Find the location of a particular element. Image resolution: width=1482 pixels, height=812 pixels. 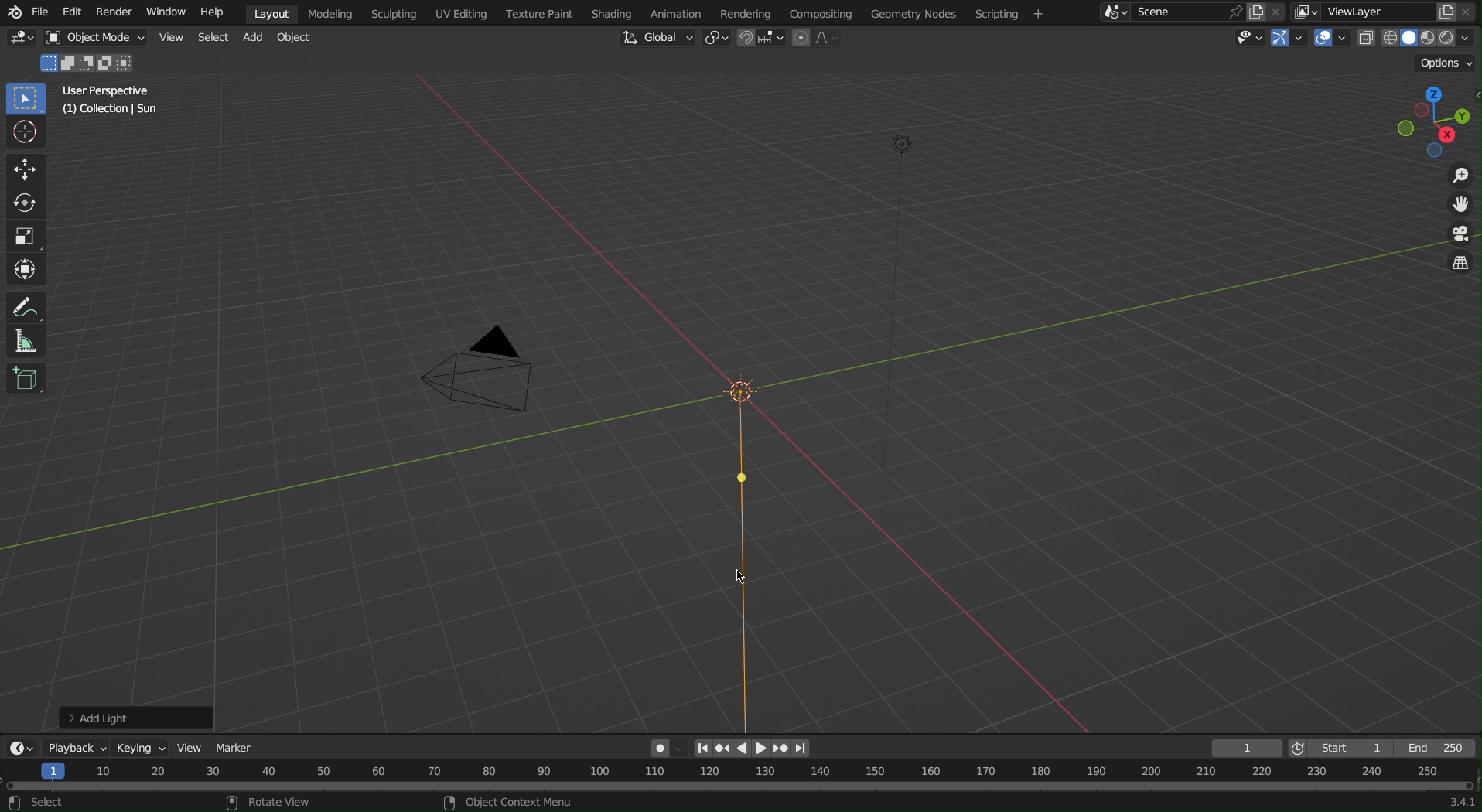

forward is located at coordinates (782, 749).